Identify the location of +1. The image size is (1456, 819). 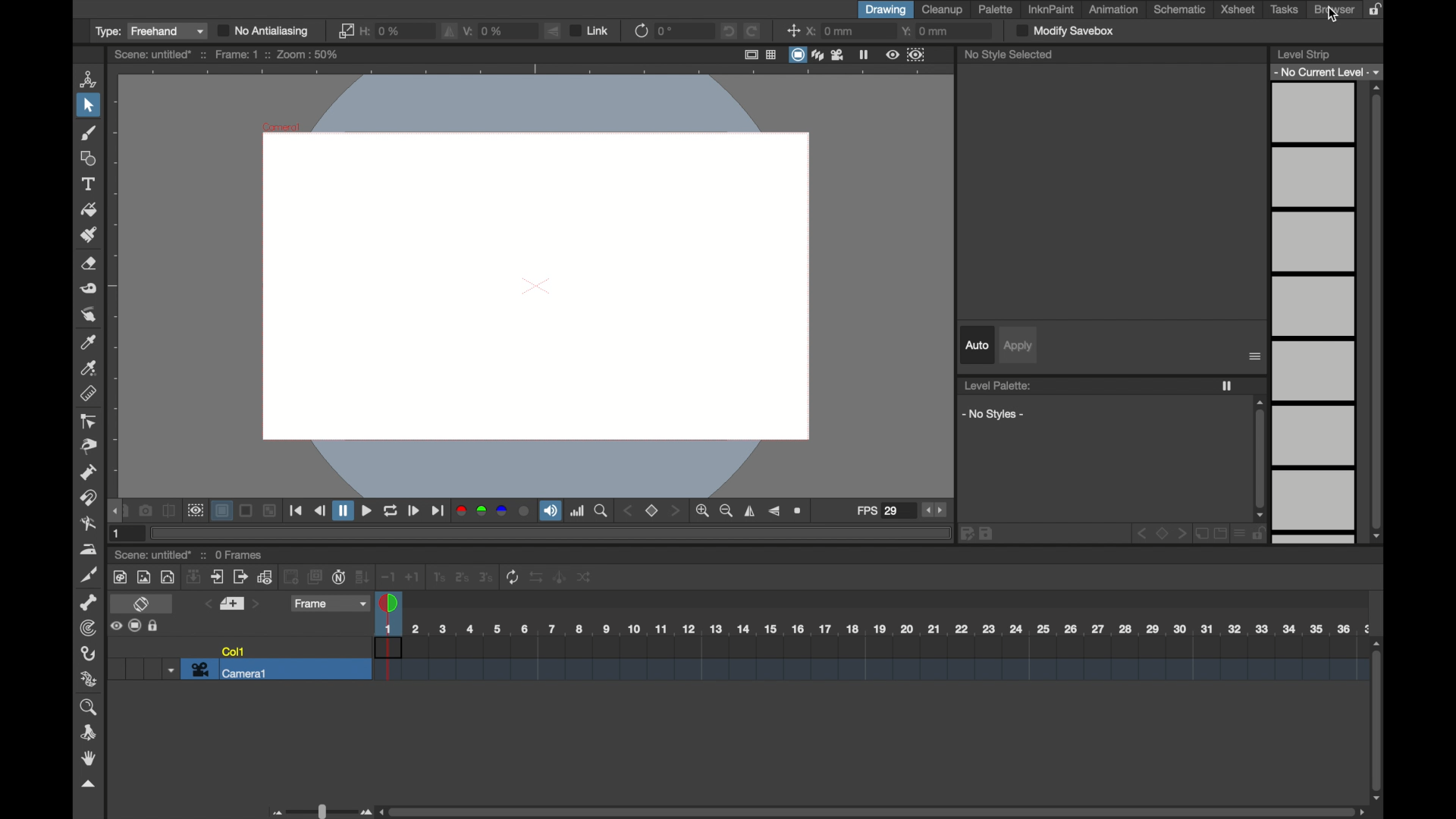
(414, 576).